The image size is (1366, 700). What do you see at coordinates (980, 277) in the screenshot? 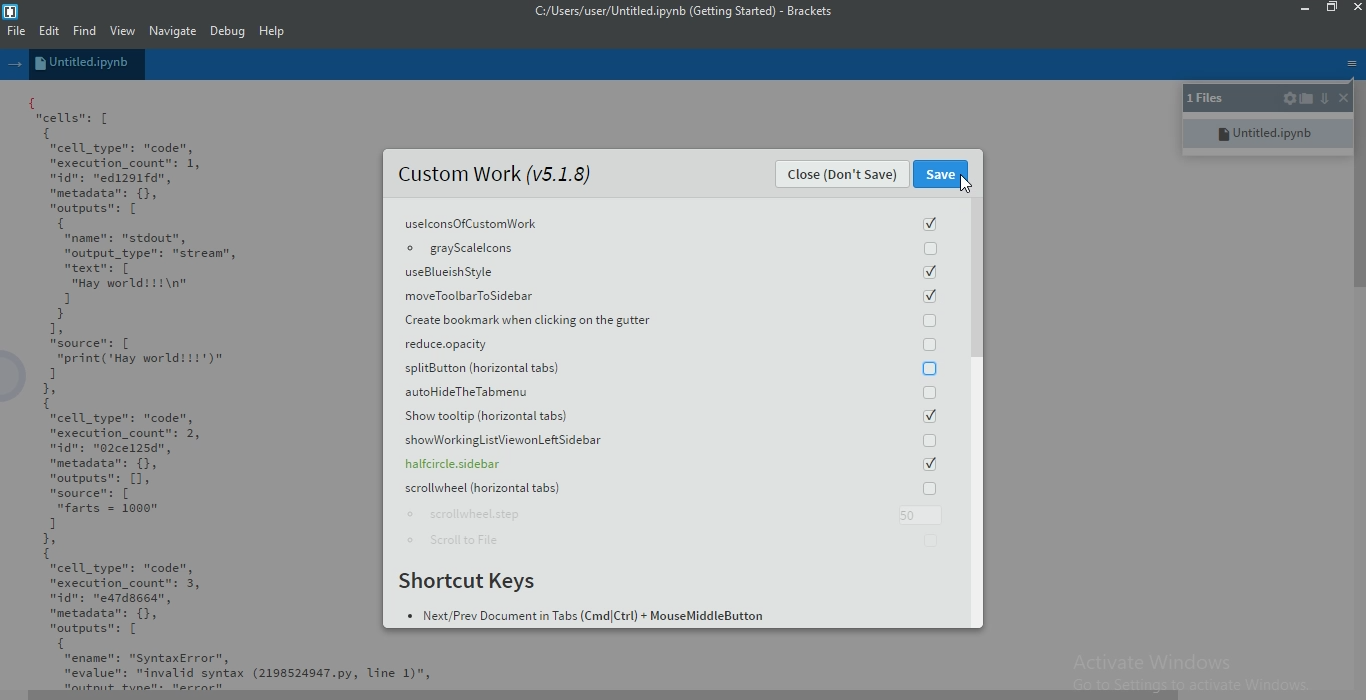
I see `scroll bar` at bounding box center [980, 277].